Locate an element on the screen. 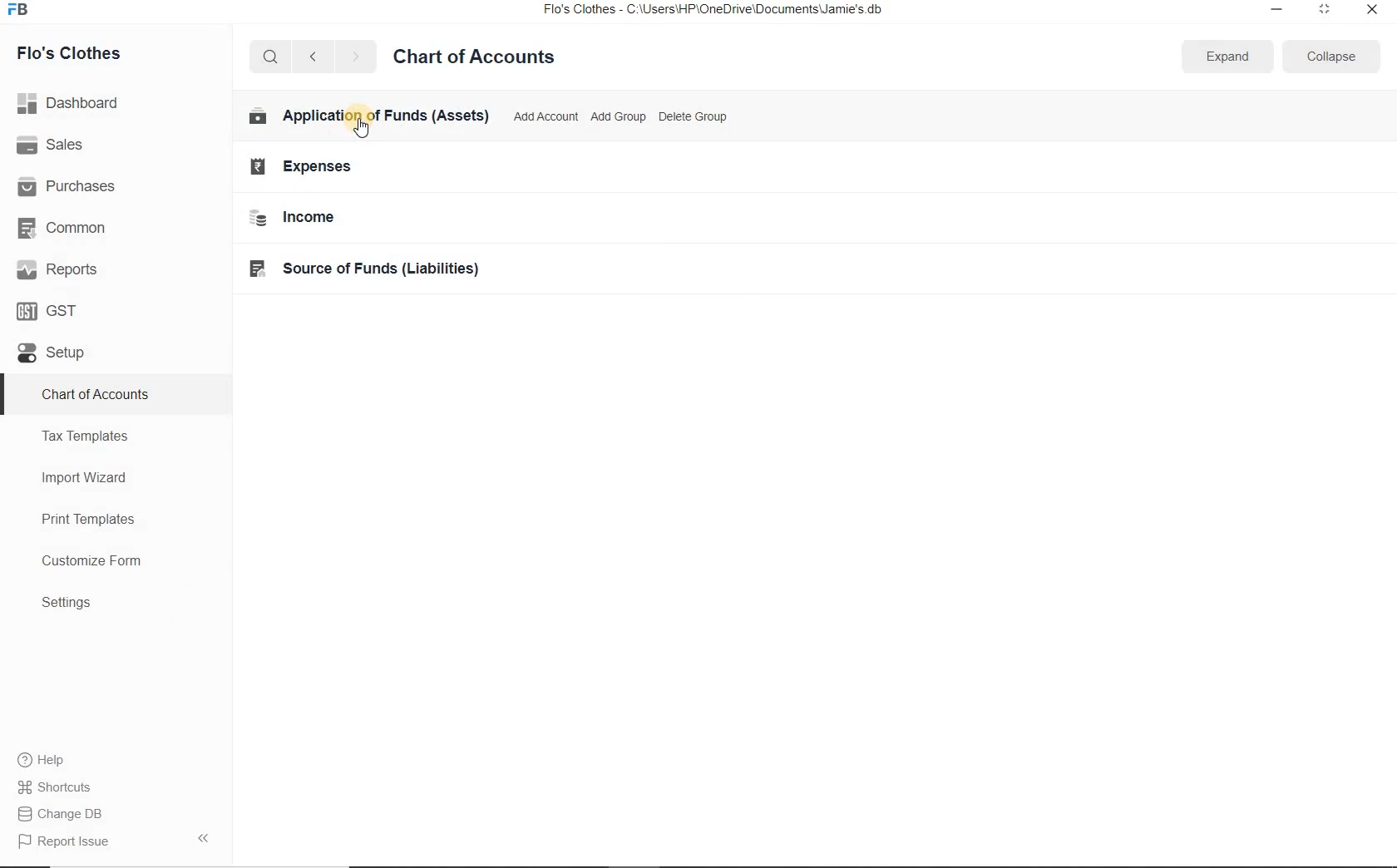 This screenshot has width=1397, height=868. cursor is located at coordinates (368, 128).